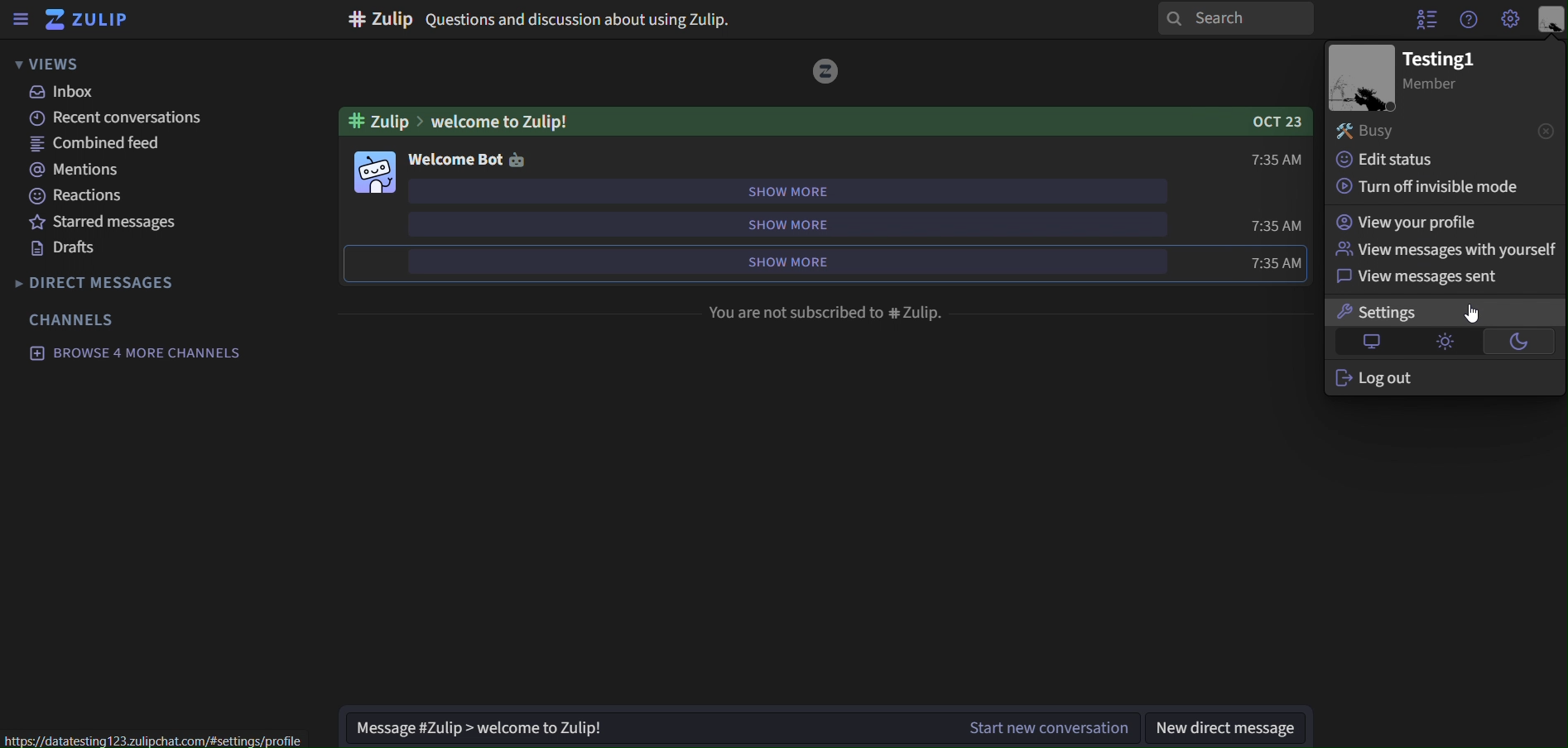  Describe the element at coordinates (1361, 78) in the screenshot. I see `image` at that location.